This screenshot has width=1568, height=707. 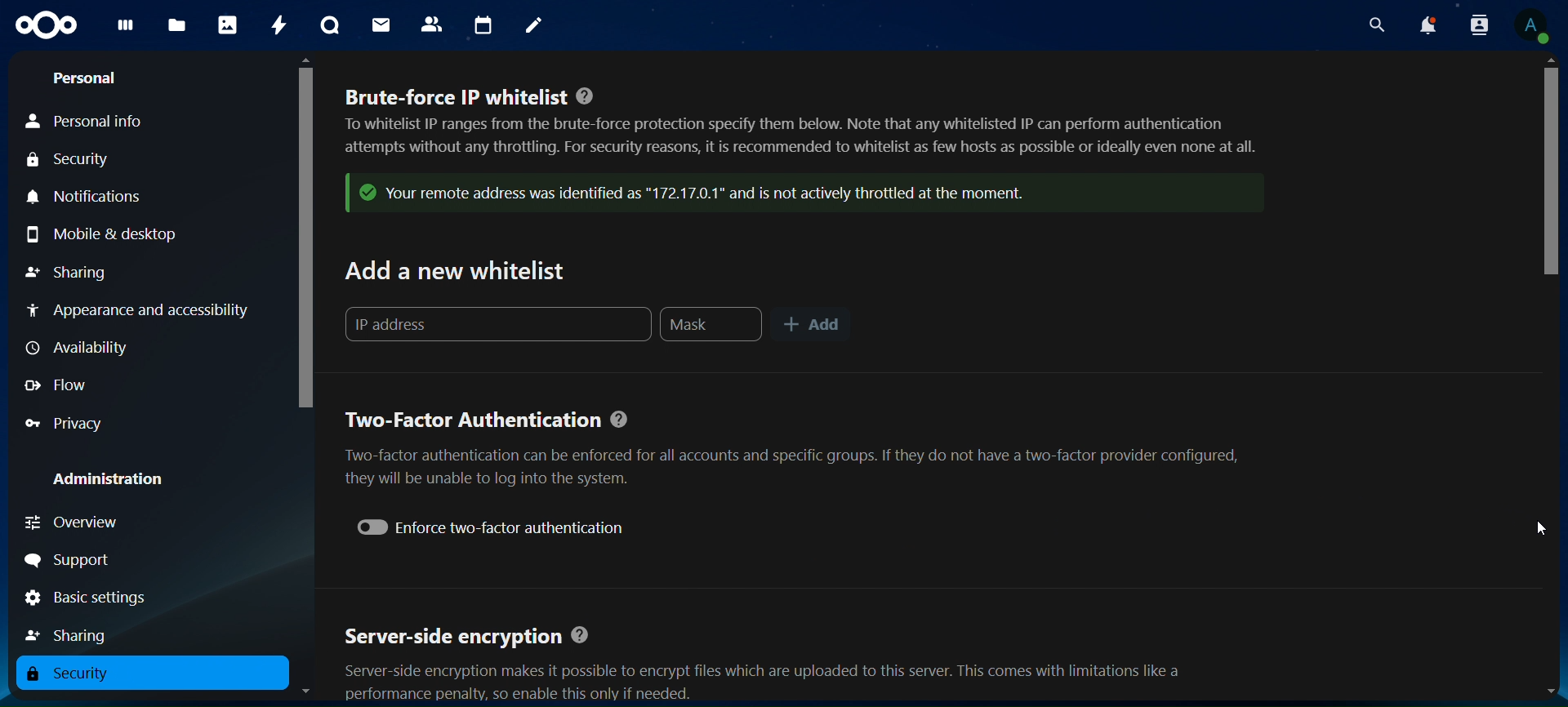 What do you see at coordinates (43, 23) in the screenshot?
I see `icon` at bounding box center [43, 23].